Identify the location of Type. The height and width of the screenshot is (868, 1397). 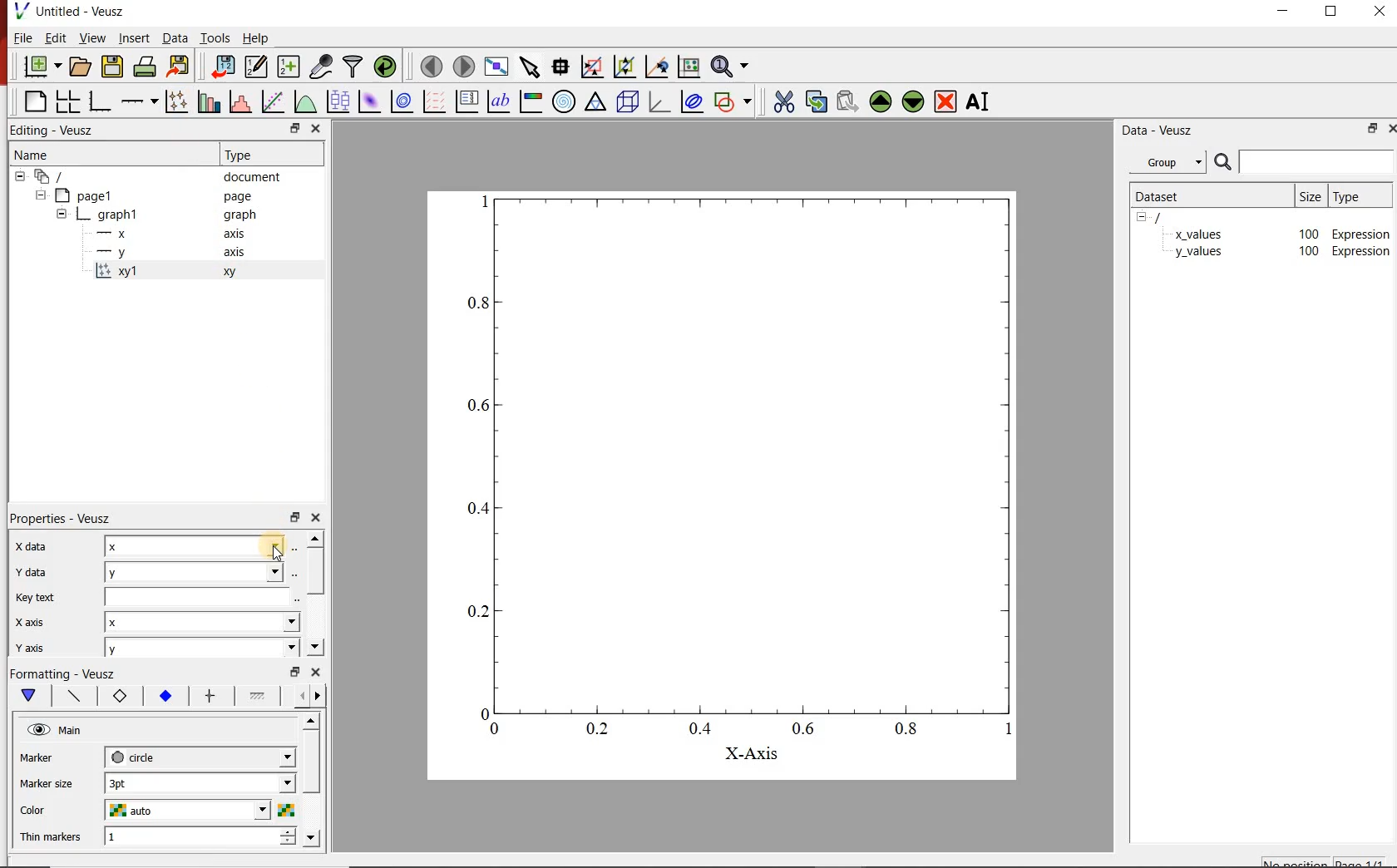
(250, 155).